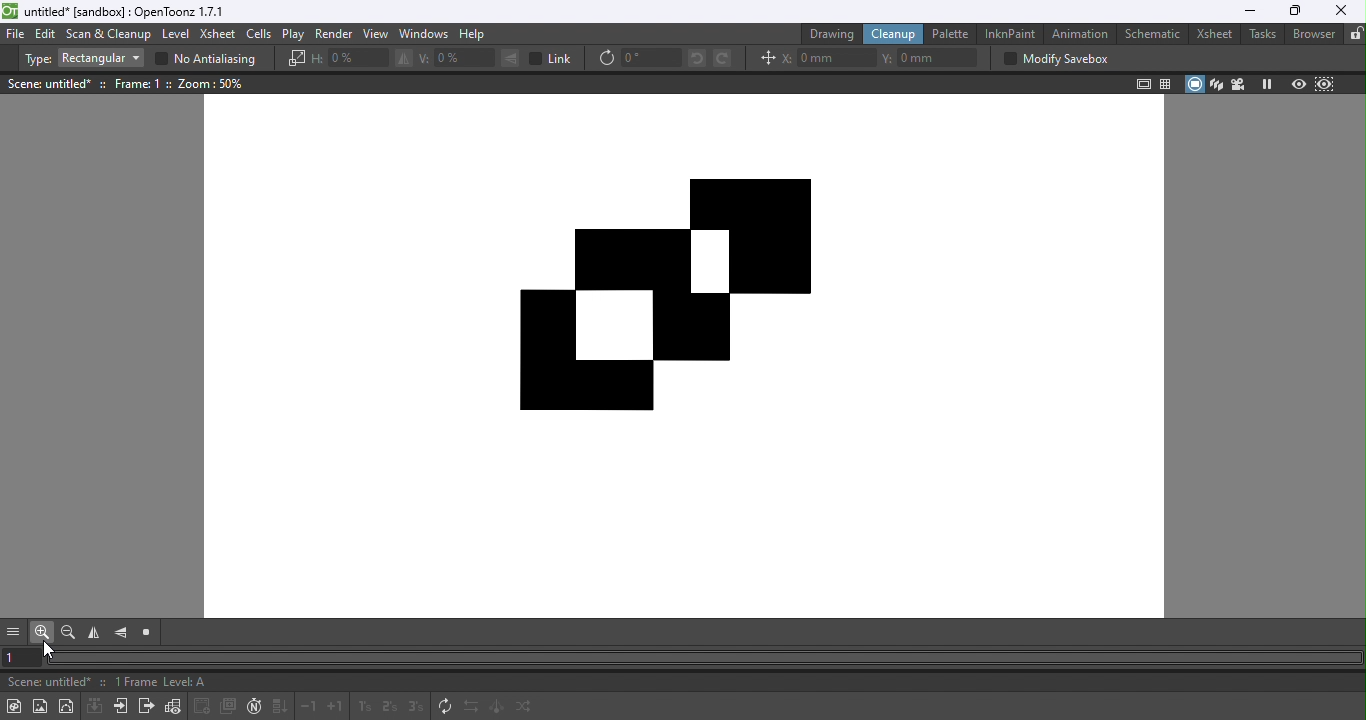  I want to click on InknPaint, so click(1010, 33).